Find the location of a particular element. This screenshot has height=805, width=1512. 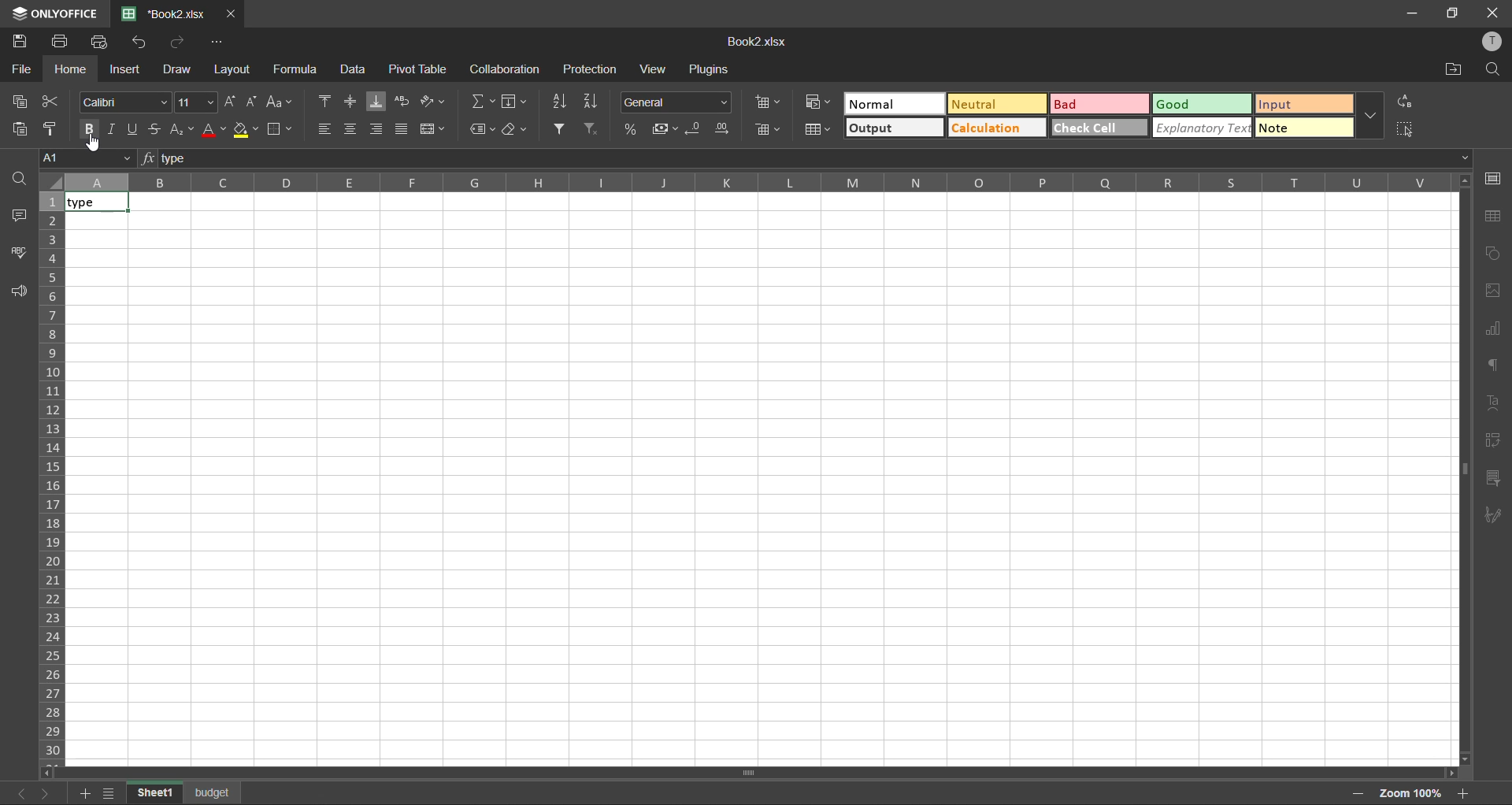

type is located at coordinates (94, 202).